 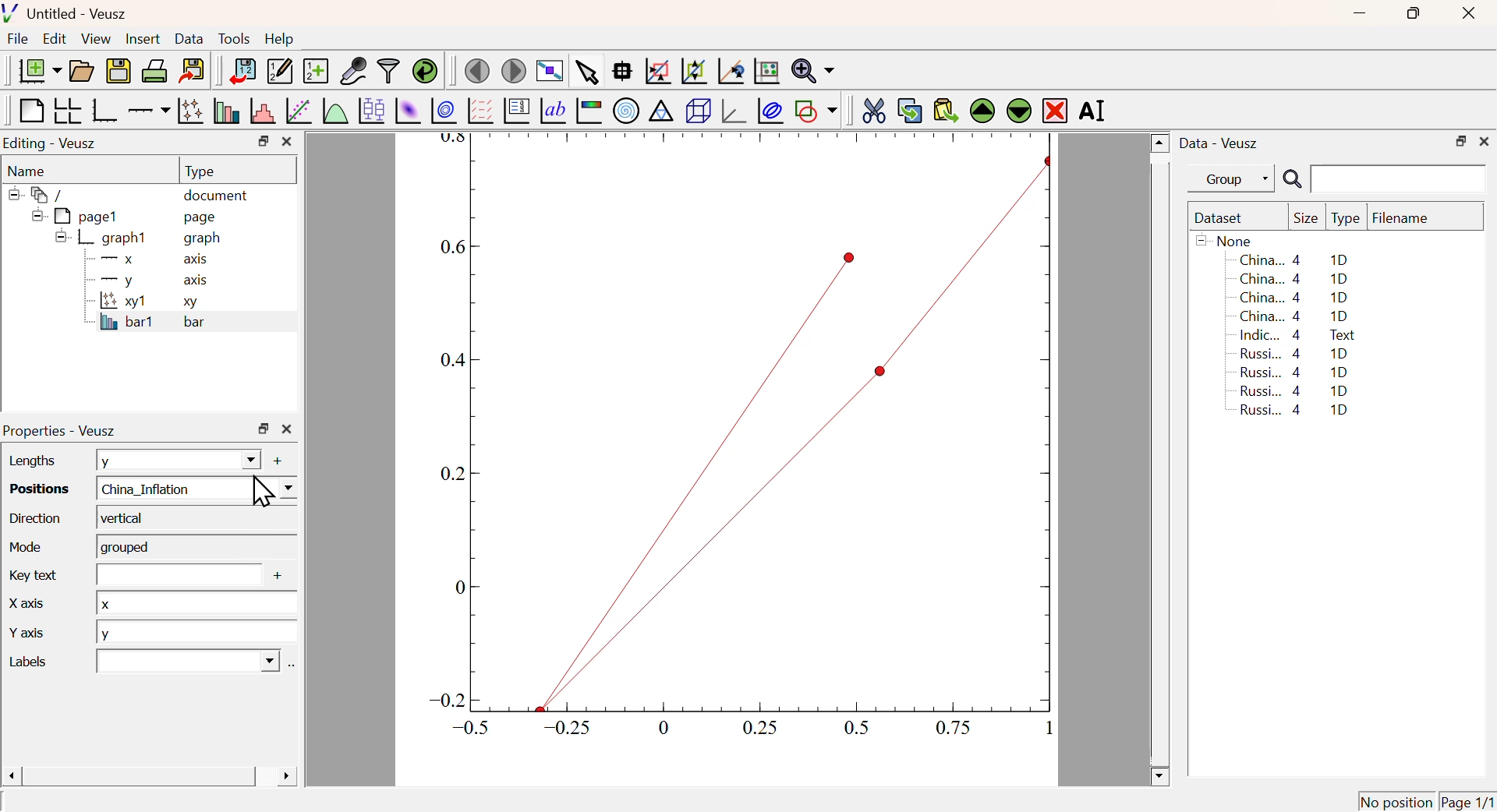 What do you see at coordinates (264, 429) in the screenshot?
I see `Restore Down` at bounding box center [264, 429].